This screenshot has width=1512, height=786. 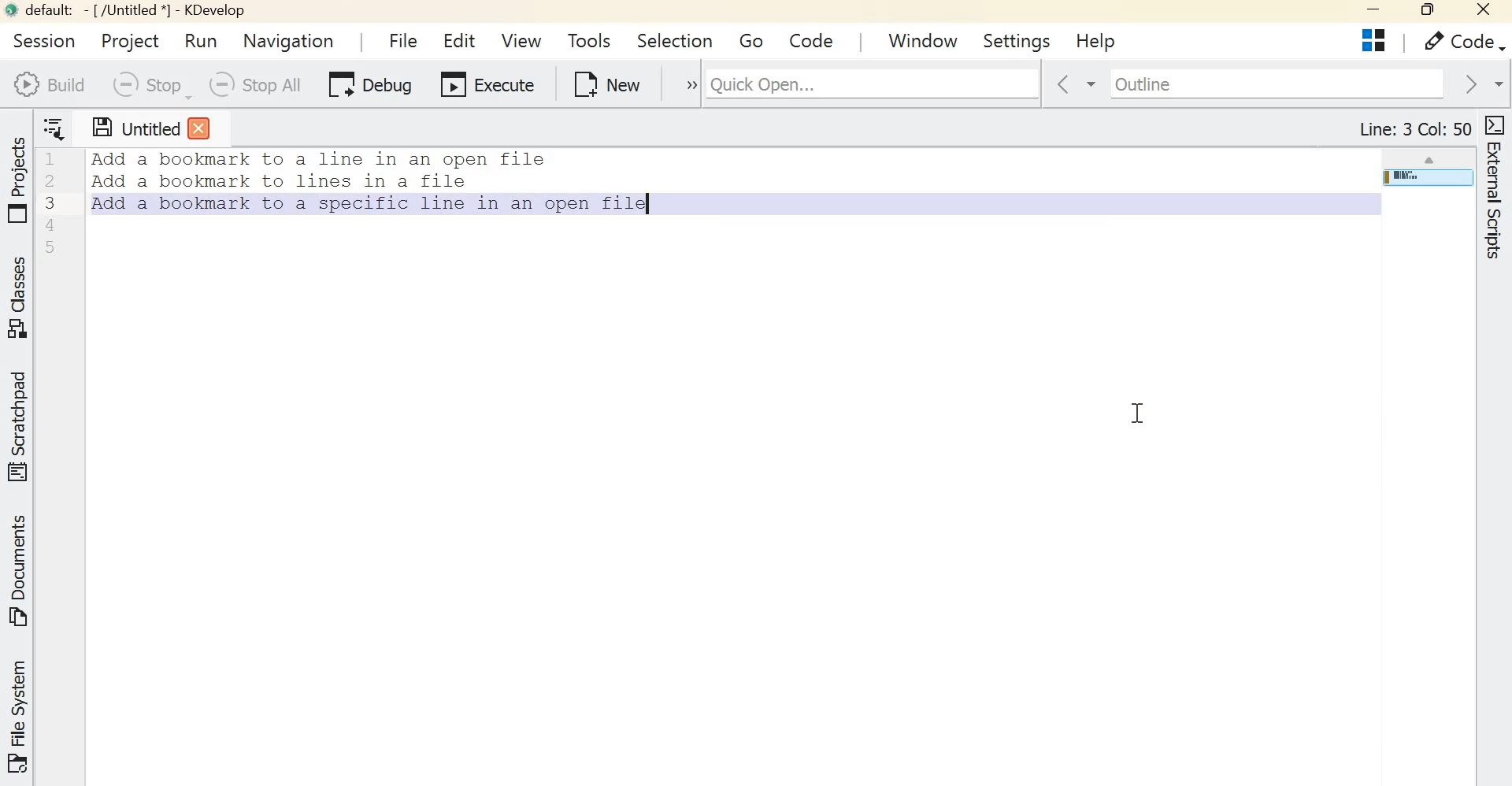 What do you see at coordinates (150, 128) in the screenshot?
I see `Untitled` at bounding box center [150, 128].